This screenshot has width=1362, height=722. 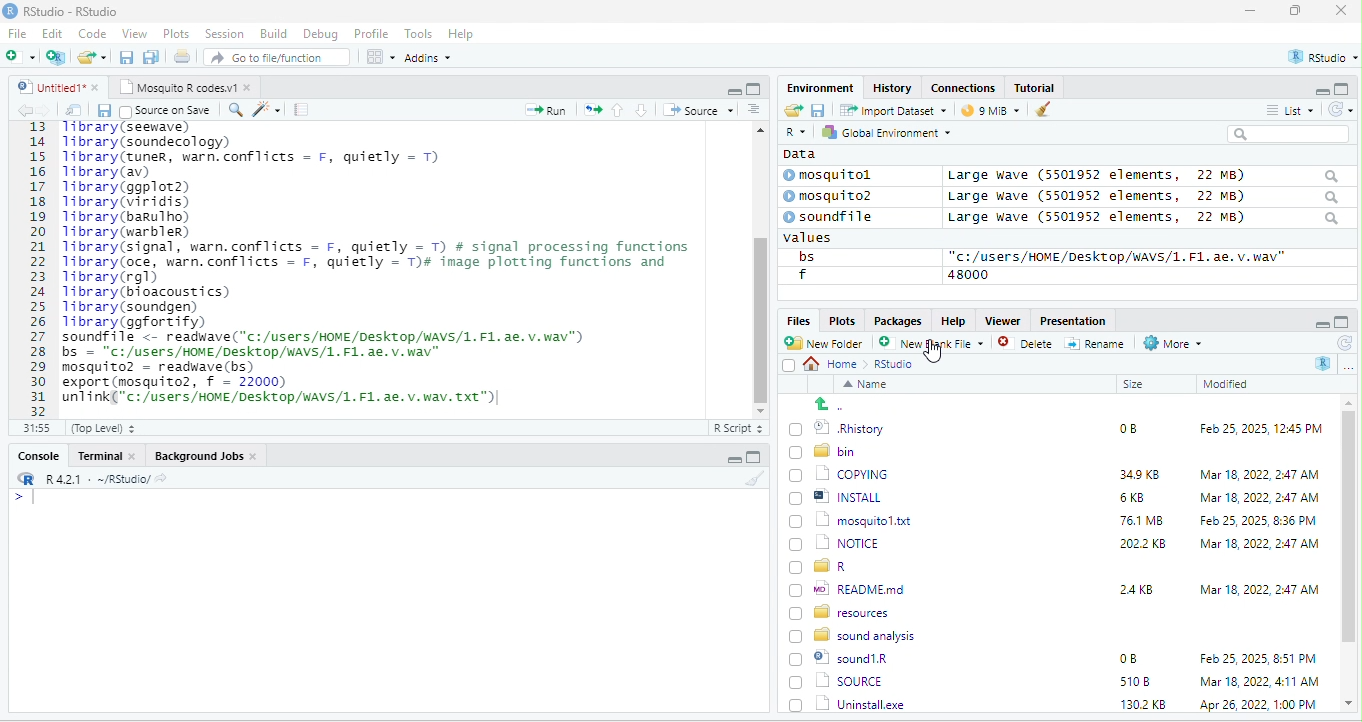 What do you see at coordinates (731, 460) in the screenshot?
I see `minimize` at bounding box center [731, 460].